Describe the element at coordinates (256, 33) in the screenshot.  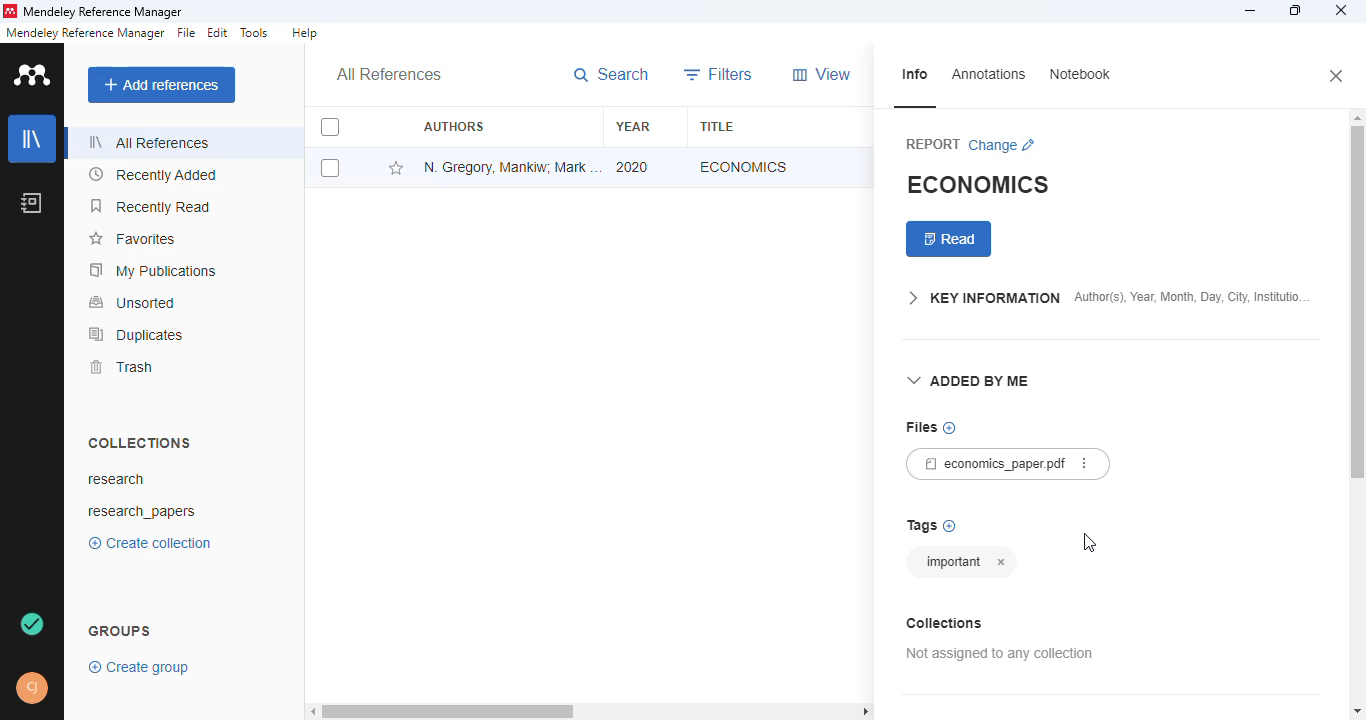
I see `tools` at that location.